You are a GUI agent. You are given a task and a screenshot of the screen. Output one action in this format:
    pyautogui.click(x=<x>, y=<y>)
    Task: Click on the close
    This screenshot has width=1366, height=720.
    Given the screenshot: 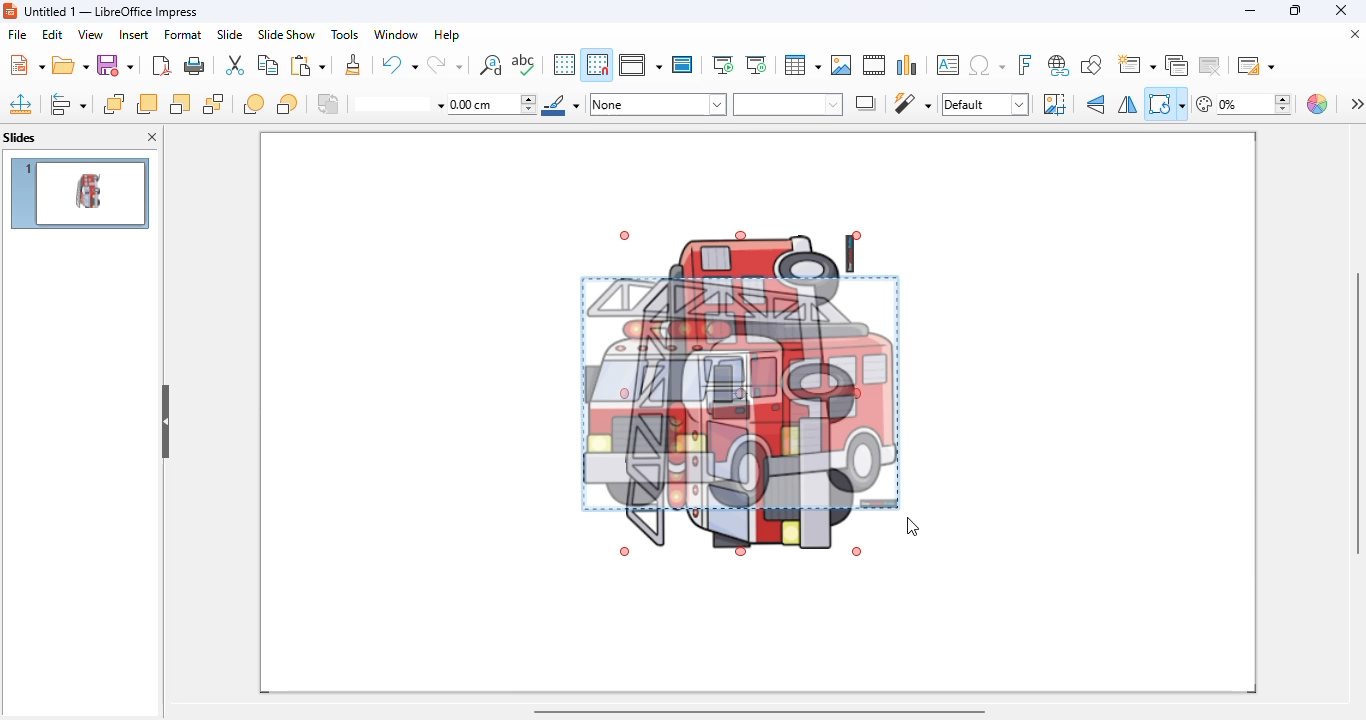 What is the action you would take?
    pyautogui.click(x=1340, y=10)
    